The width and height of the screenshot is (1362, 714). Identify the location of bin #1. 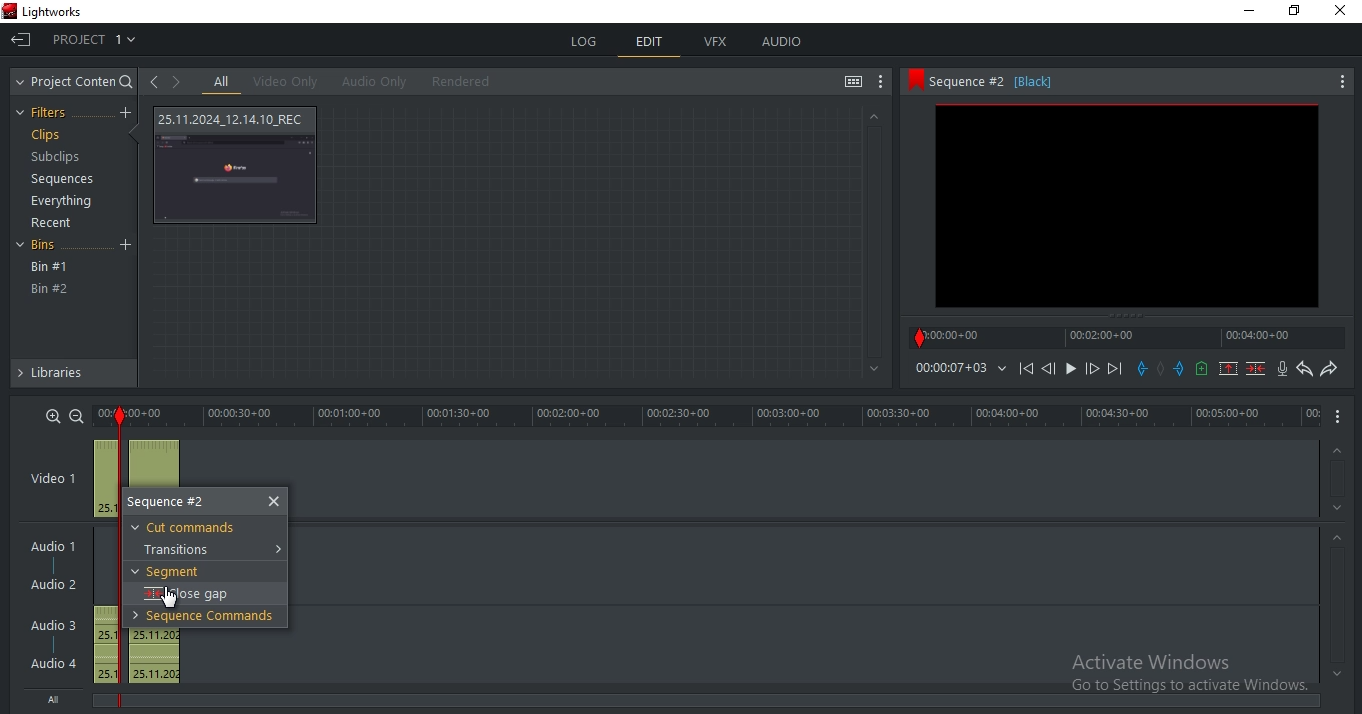
(50, 267).